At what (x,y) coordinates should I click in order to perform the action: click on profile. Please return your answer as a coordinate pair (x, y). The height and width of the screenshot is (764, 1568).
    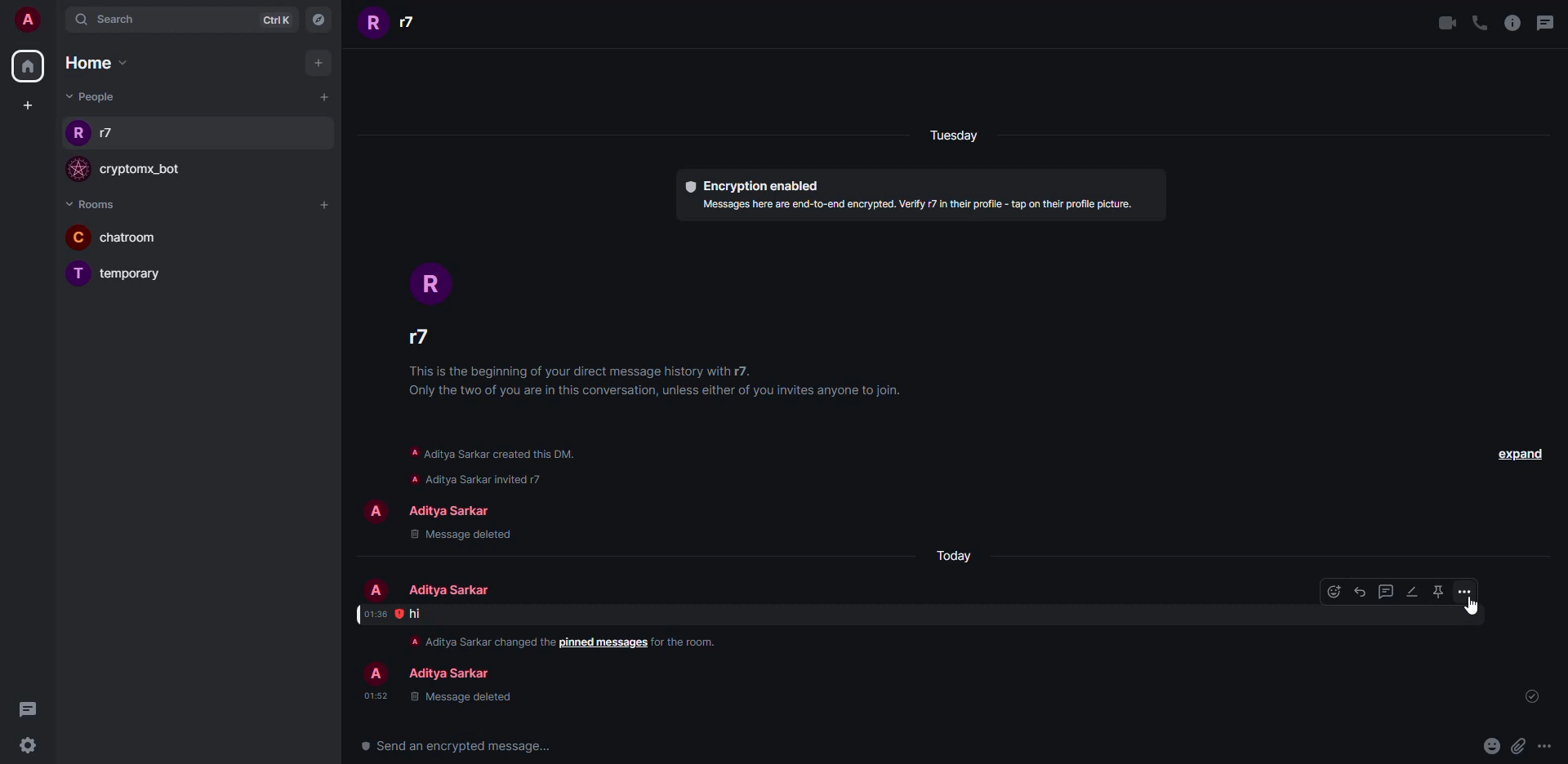
    Looking at the image, I should click on (76, 170).